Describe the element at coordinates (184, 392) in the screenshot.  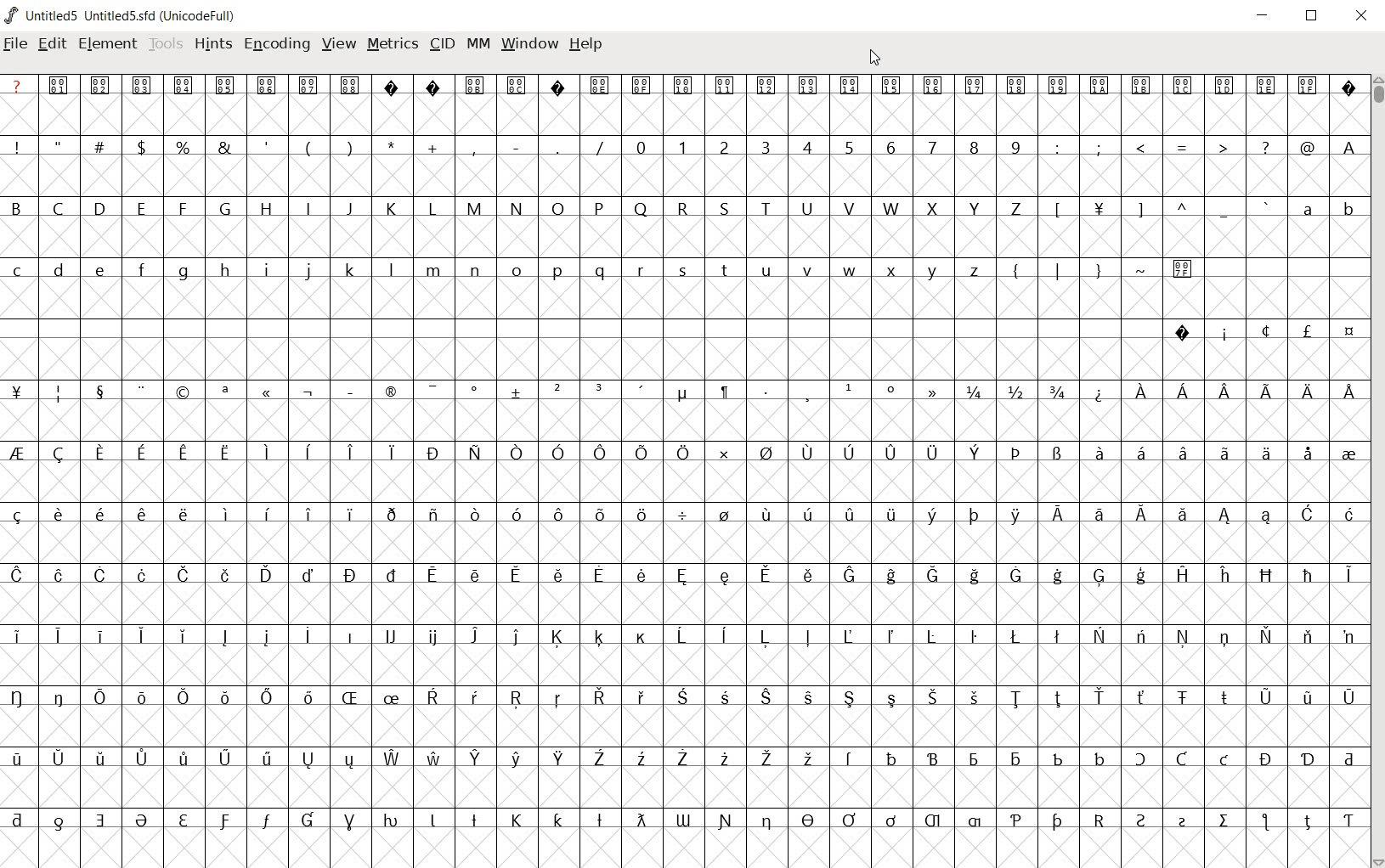
I see `Symbol` at that location.